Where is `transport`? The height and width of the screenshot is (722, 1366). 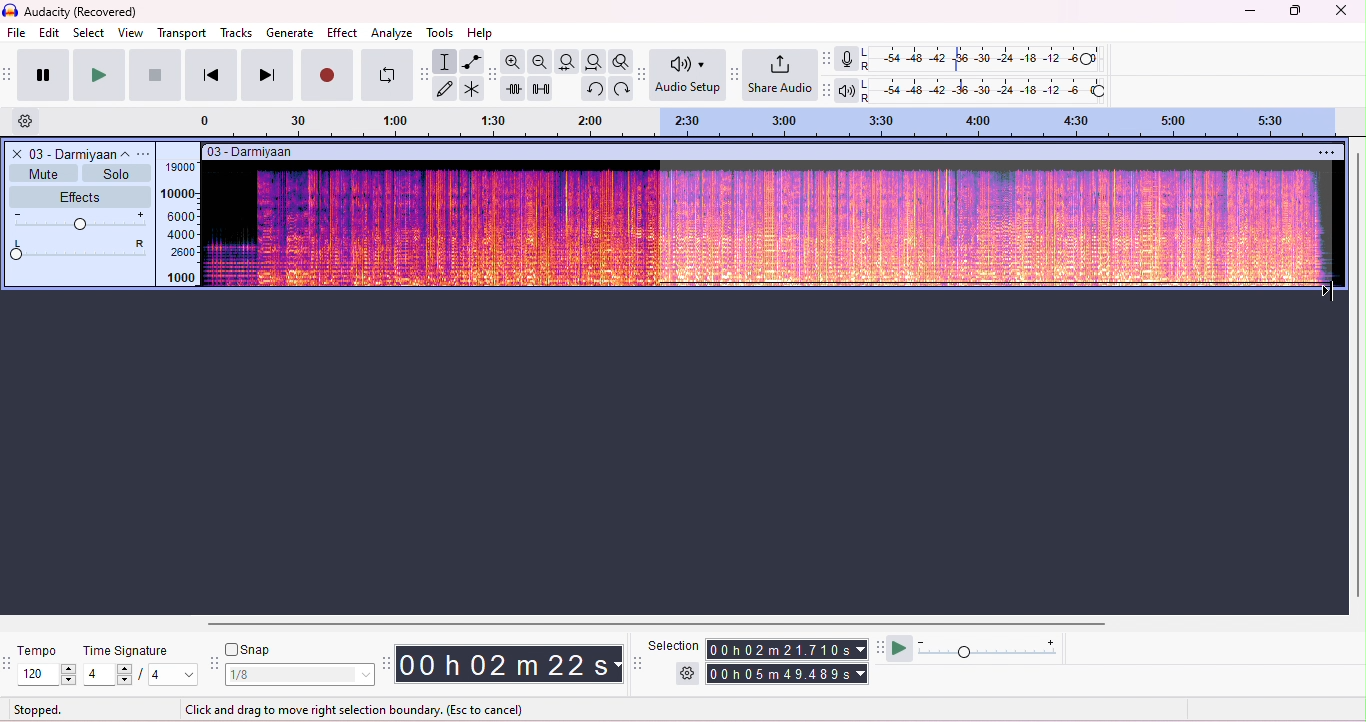
transport is located at coordinates (182, 33).